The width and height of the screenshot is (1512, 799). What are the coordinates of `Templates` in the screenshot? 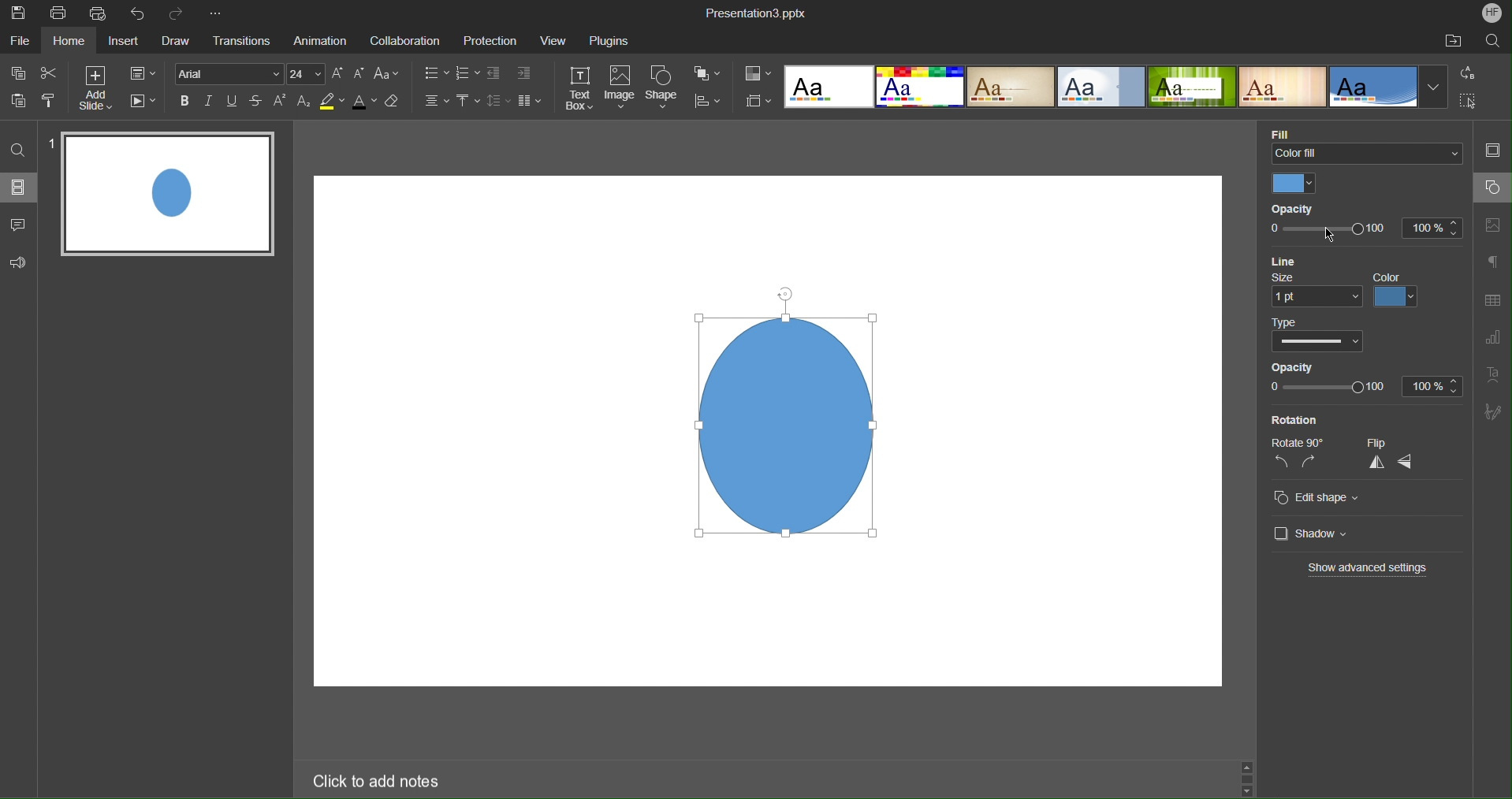 It's located at (1115, 86).